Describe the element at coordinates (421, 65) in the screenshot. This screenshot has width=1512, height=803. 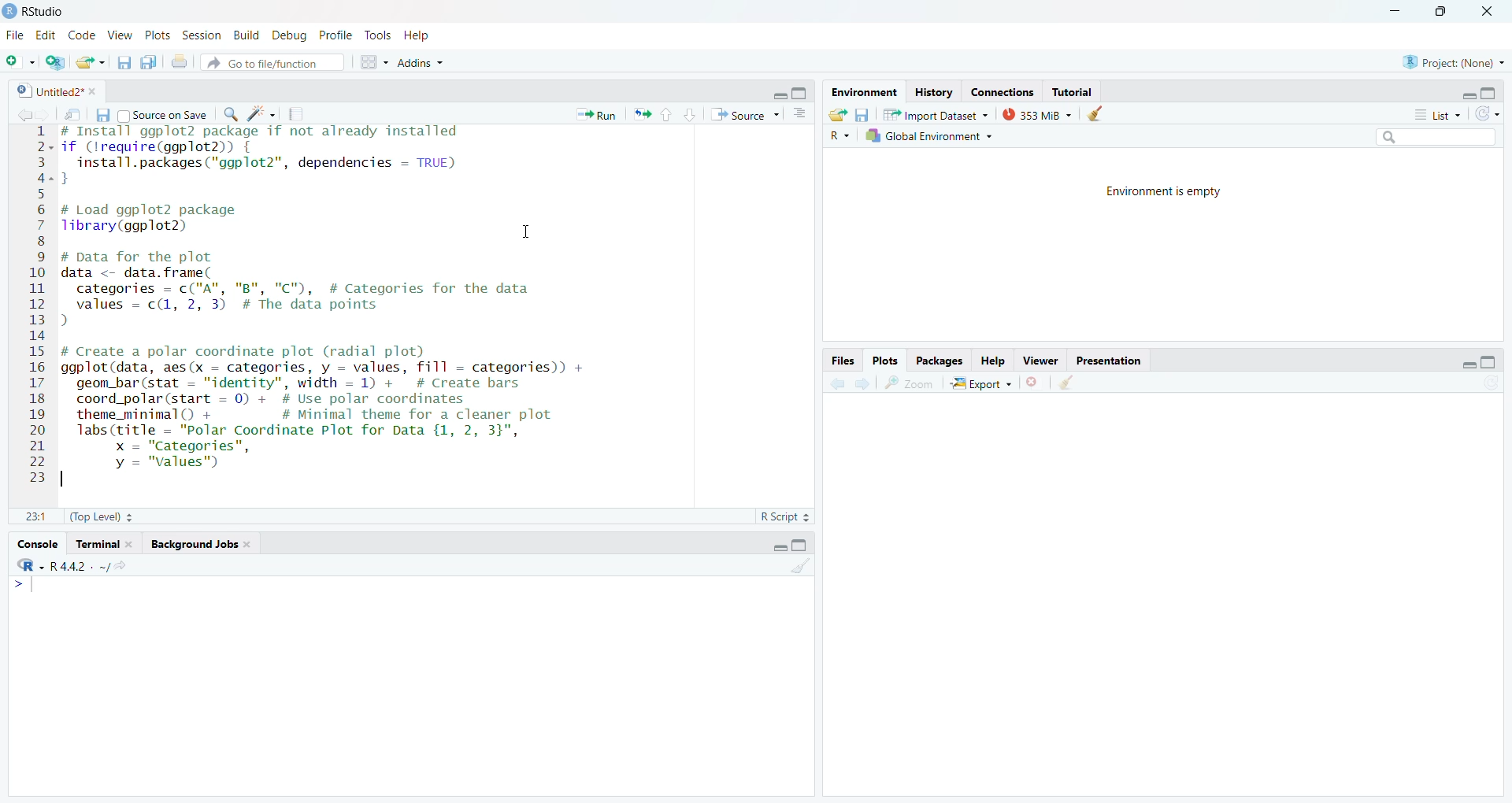
I see ` Addins ~` at that location.